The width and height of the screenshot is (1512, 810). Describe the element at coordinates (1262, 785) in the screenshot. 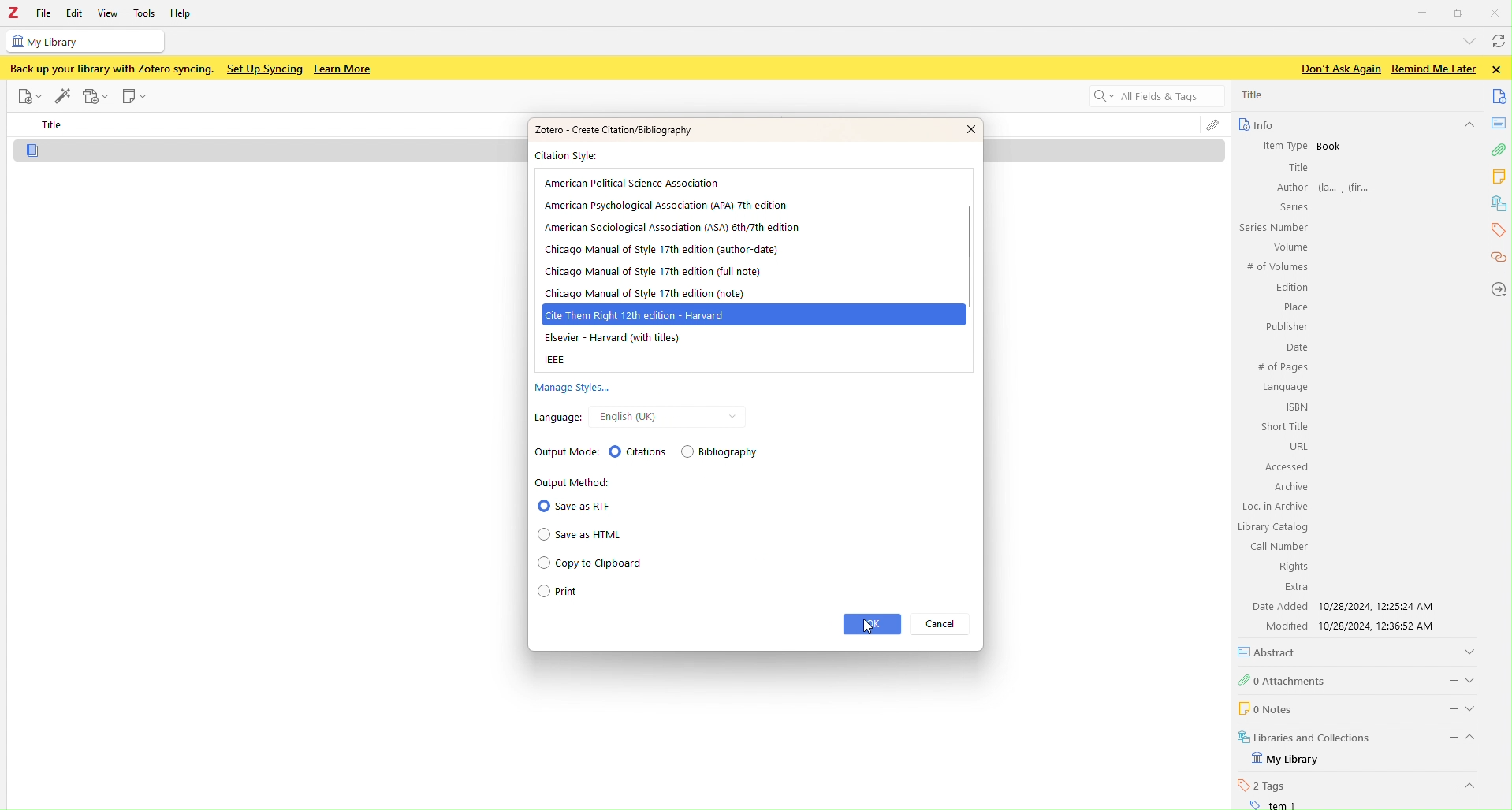

I see `2 Tags` at that location.